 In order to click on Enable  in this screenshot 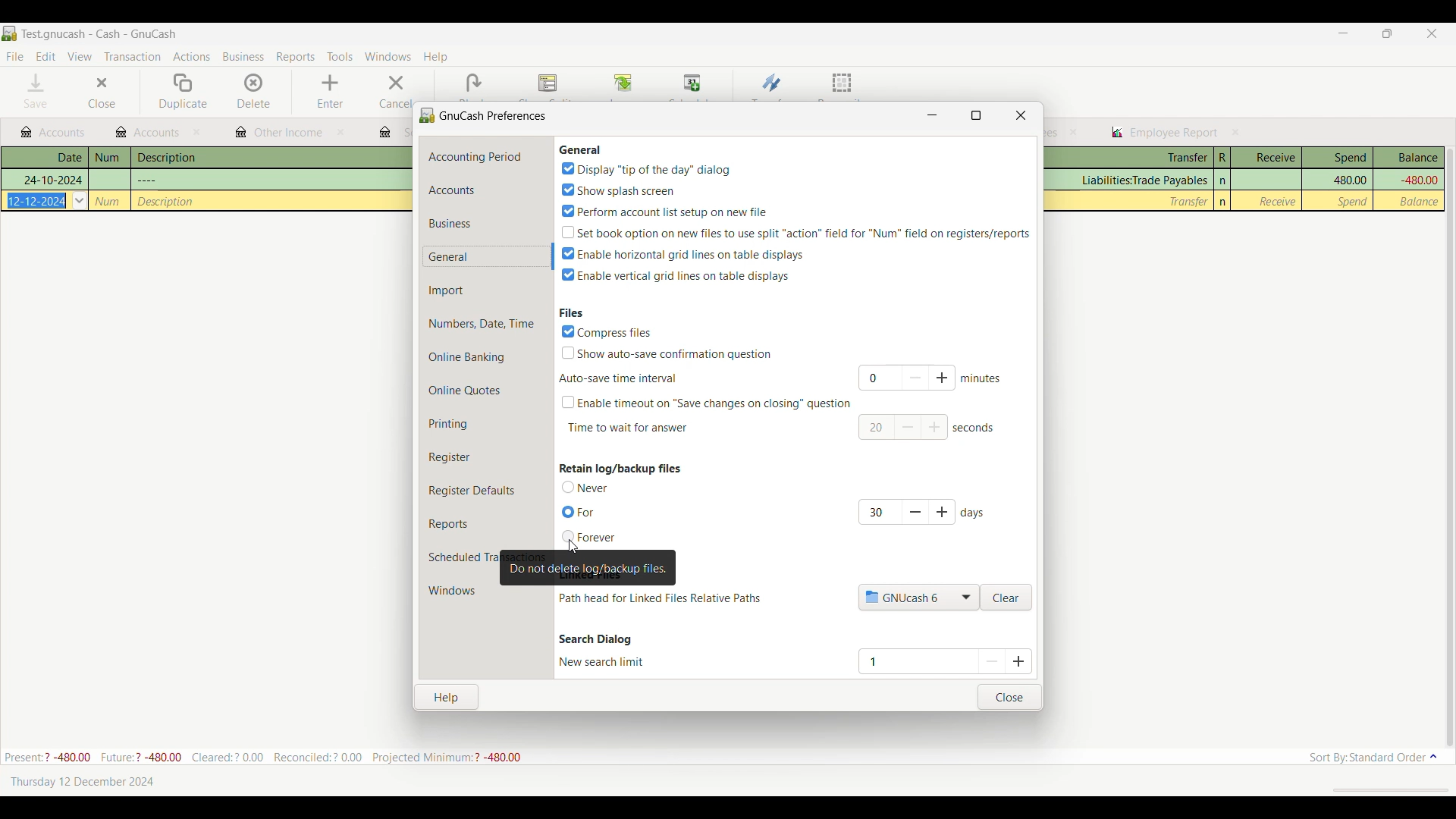, I will do `click(676, 275)`.